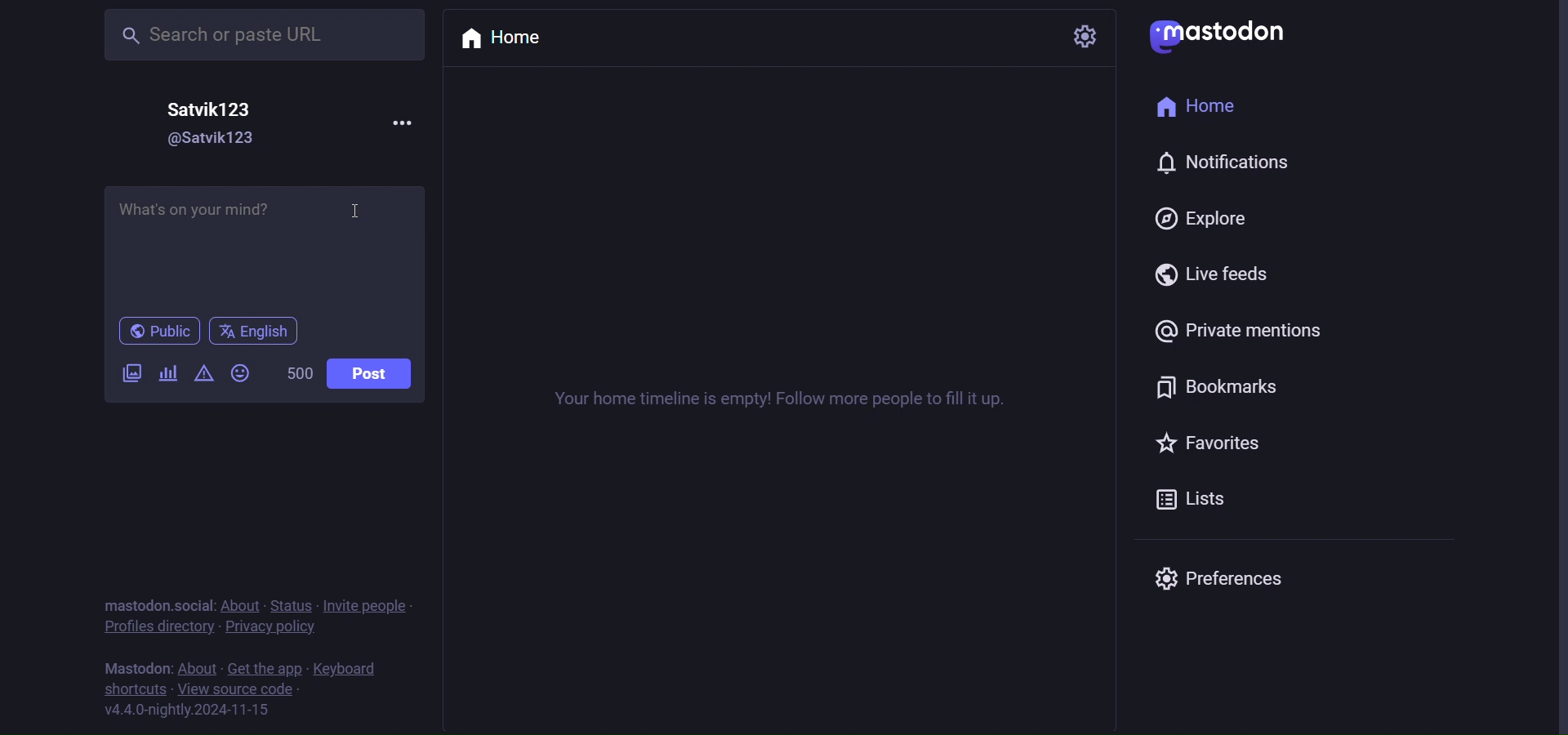 The image size is (1568, 735). Describe the element at coordinates (1222, 33) in the screenshot. I see `mastodon` at that location.